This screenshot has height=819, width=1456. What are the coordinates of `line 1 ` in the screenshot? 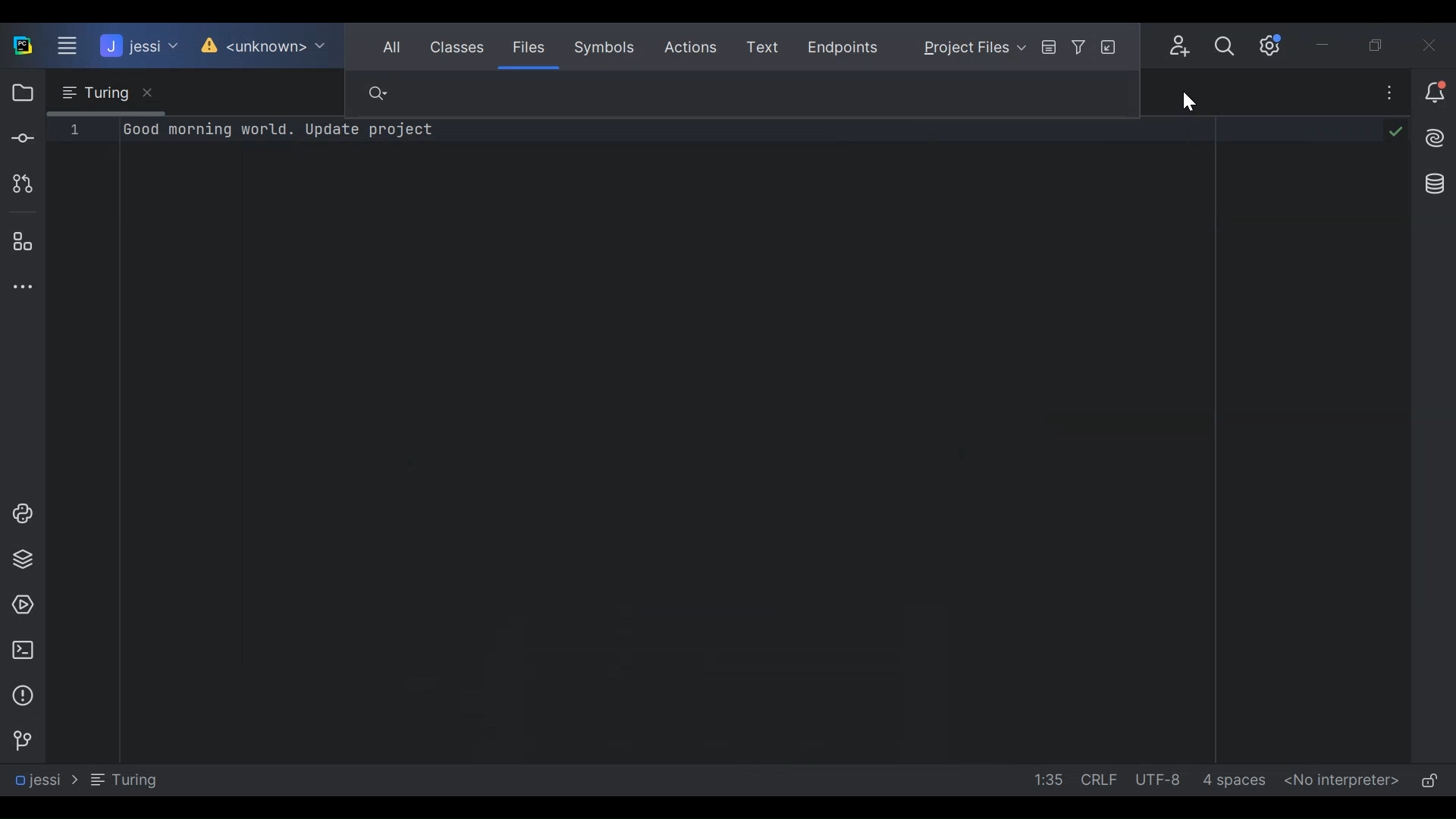 It's located at (74, 130).